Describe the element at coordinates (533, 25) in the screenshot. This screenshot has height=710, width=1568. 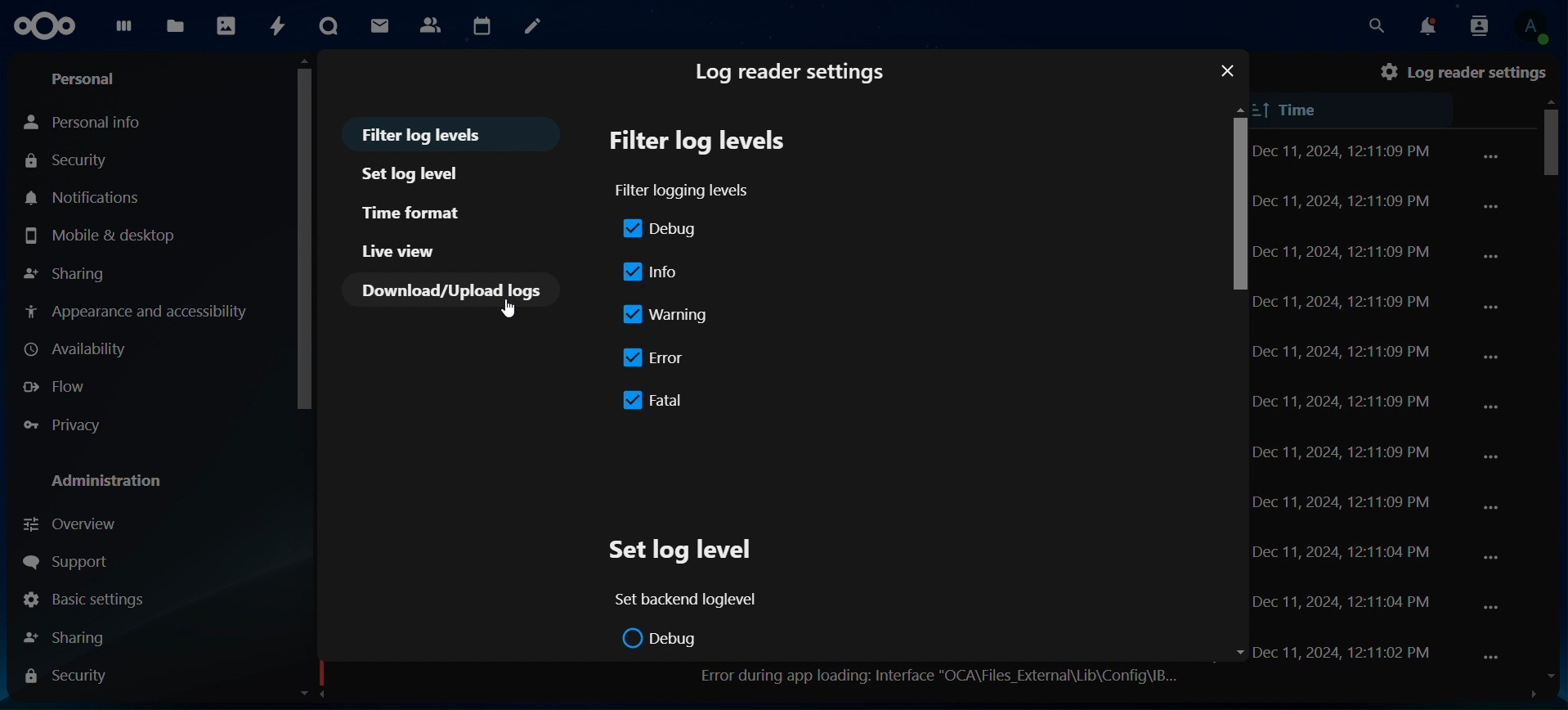
I see `notes` at that location.